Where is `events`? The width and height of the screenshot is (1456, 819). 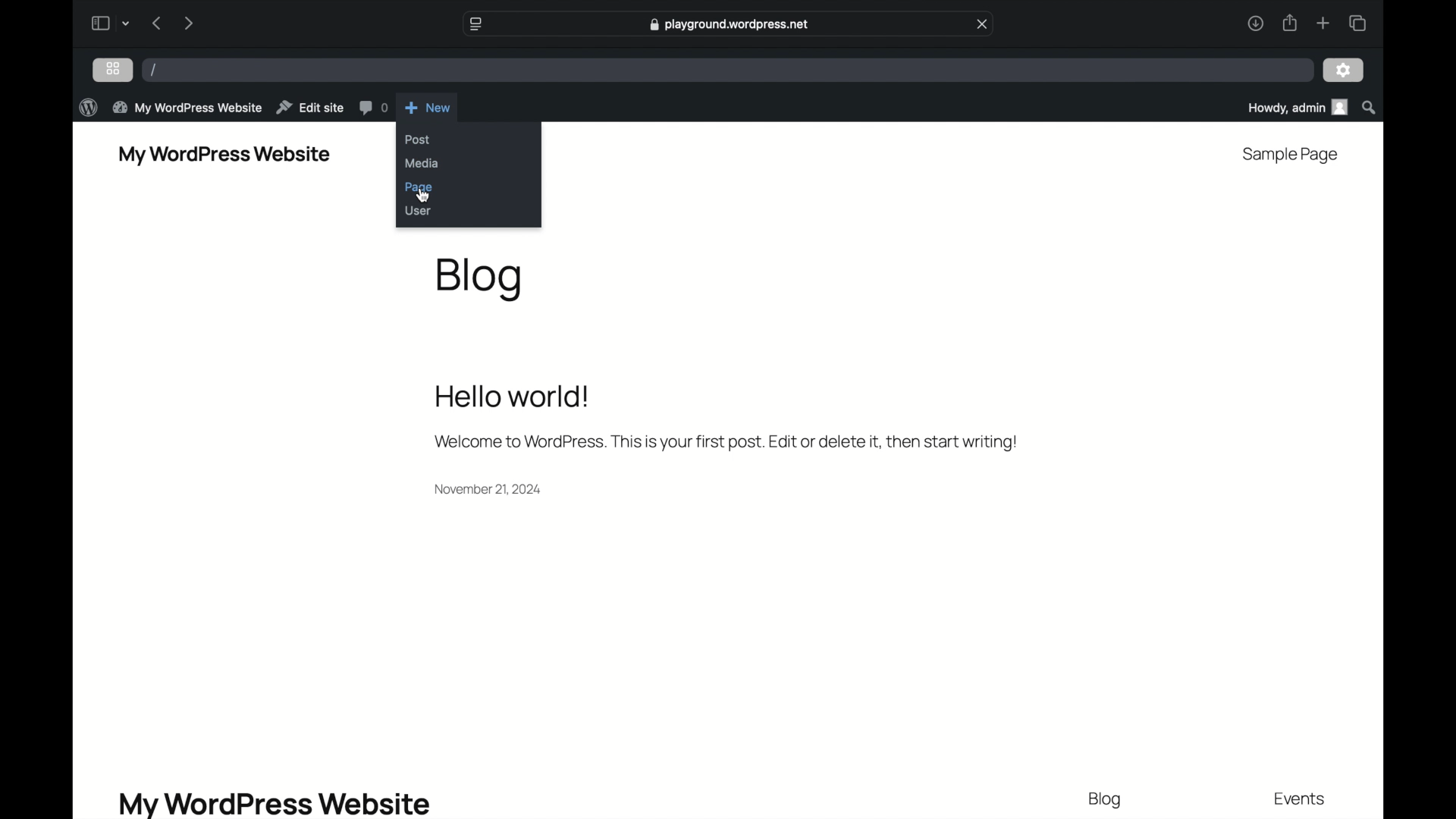
events is located at coordinates (1301, 800).